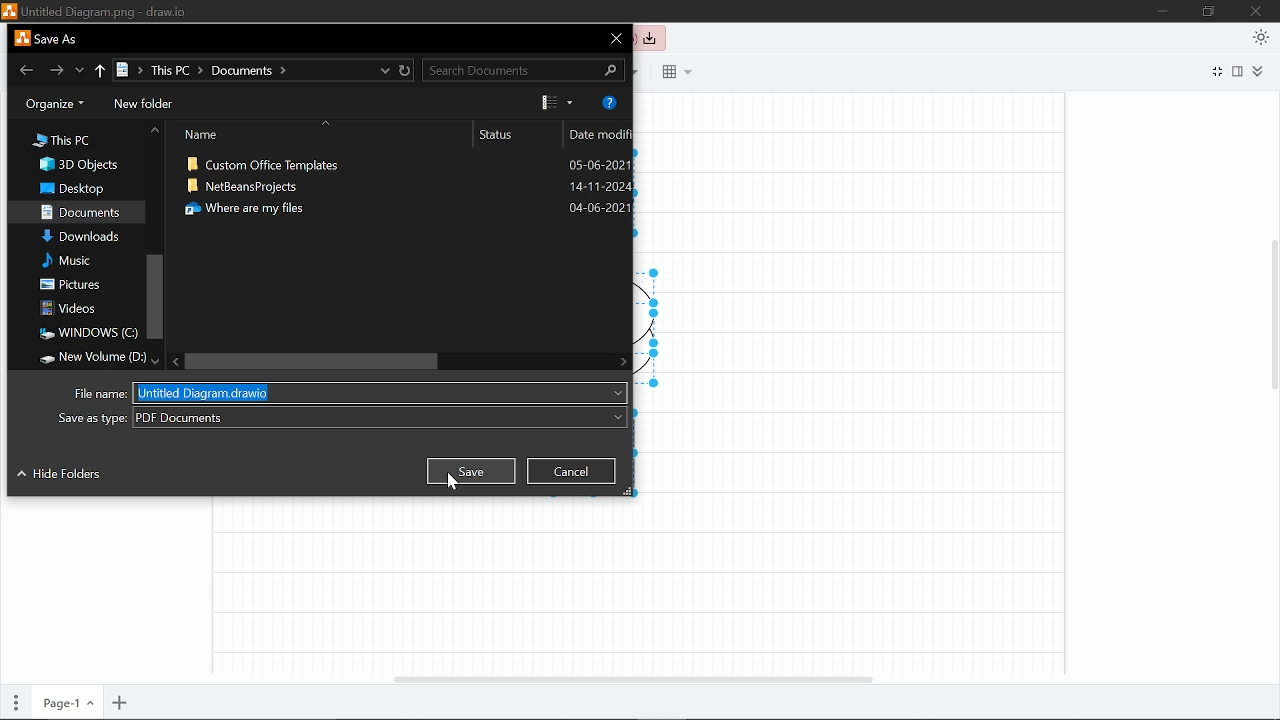  What do you see at coordinates (27, 70) in the screenshot?
I see `Back` at bounding box center [27, 70].